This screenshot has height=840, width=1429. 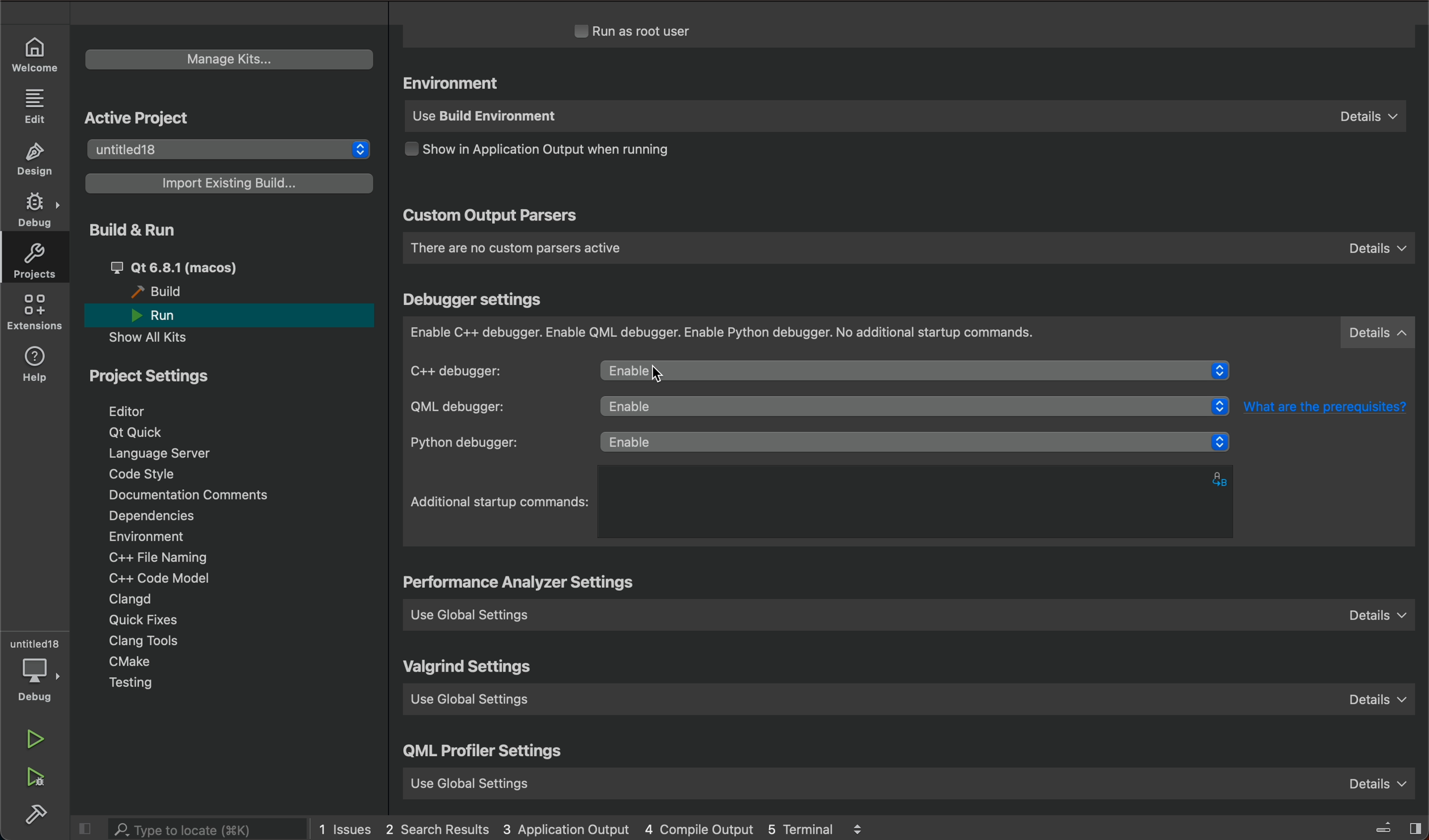 What do you see at coordinates (231, 183) in the screenshot?
I see `import ` at bounding box center [231, 183].